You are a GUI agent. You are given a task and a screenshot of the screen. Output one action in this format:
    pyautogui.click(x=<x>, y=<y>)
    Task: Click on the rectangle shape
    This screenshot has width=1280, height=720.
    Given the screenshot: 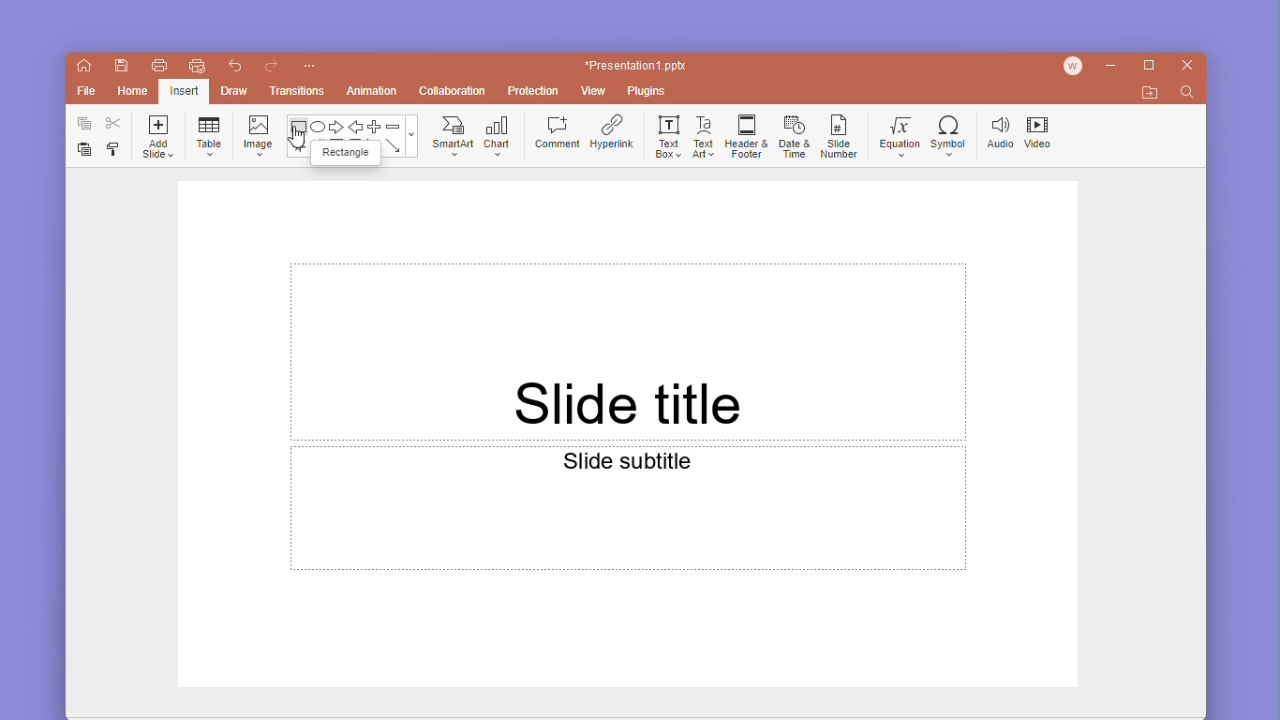 What is the action you would take?
    pyautogui.click(x=298, y=127)
    